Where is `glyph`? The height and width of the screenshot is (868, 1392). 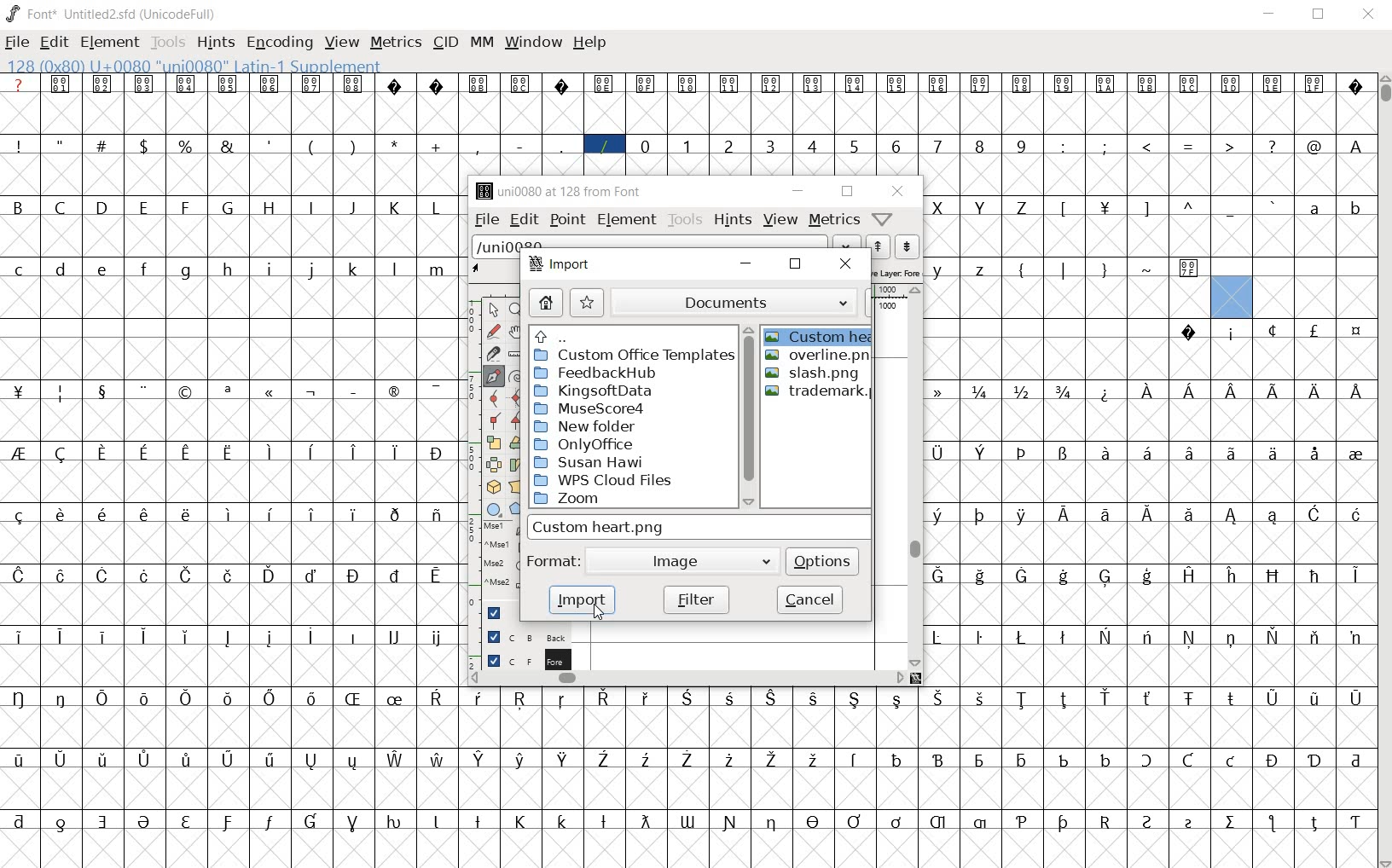
glyph is located at coordinates (438, 639).